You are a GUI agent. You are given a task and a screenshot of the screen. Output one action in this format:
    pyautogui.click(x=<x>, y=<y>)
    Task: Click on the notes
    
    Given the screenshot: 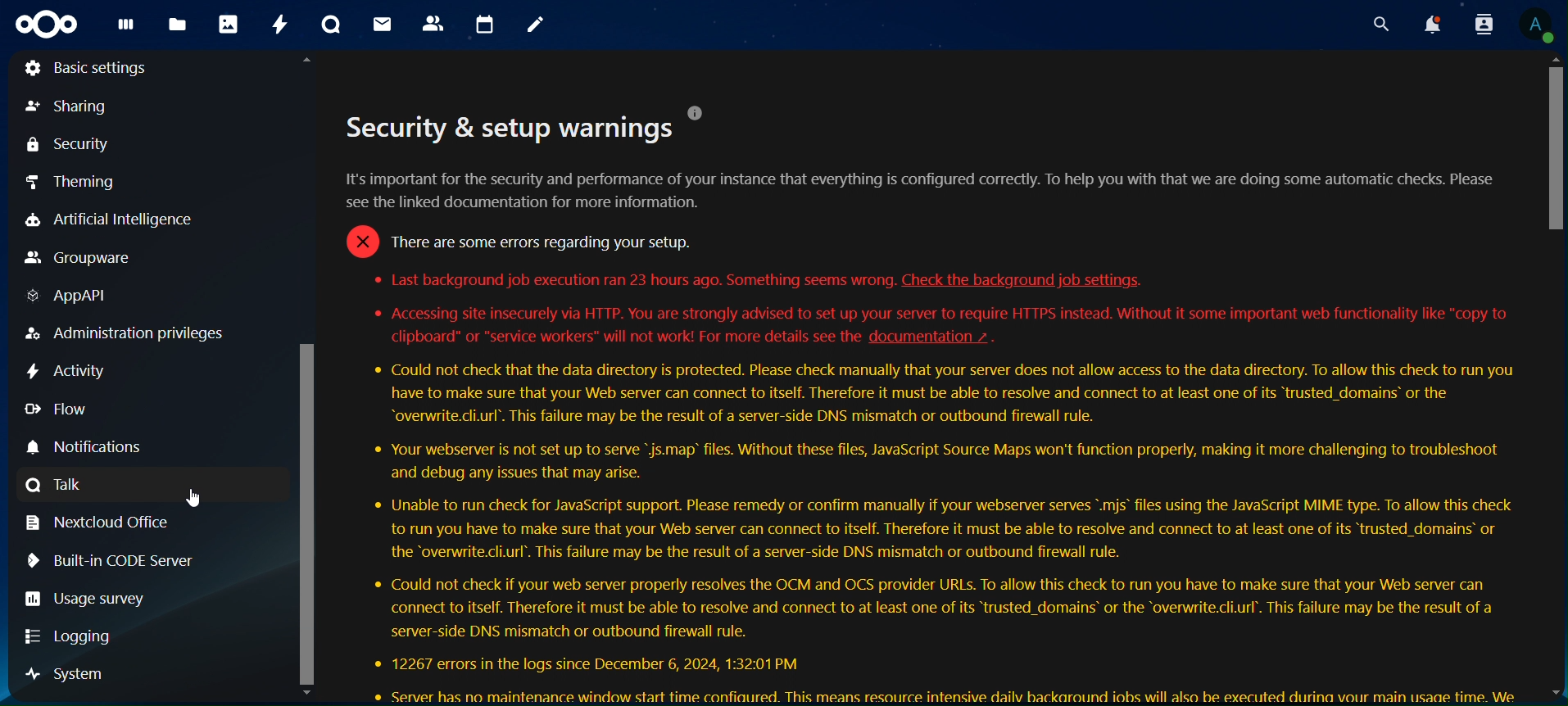 What is the action you would take?
    pyautogui.click(x=537, y=27)
    